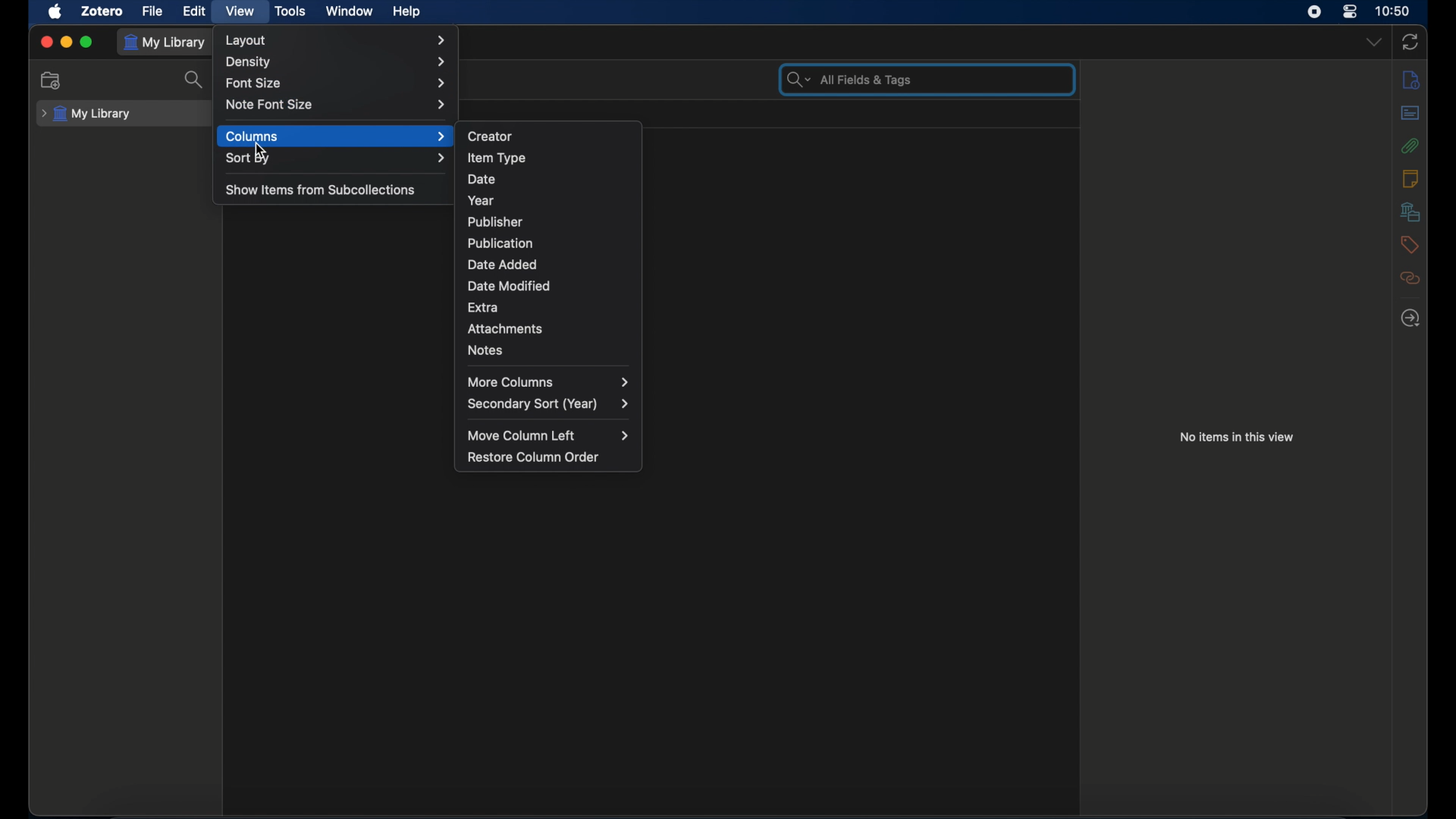 This screenshot has height=819, width=1456. Describe the element at coordinates (1393, 11) in the screenshot. I see `time` at that location.